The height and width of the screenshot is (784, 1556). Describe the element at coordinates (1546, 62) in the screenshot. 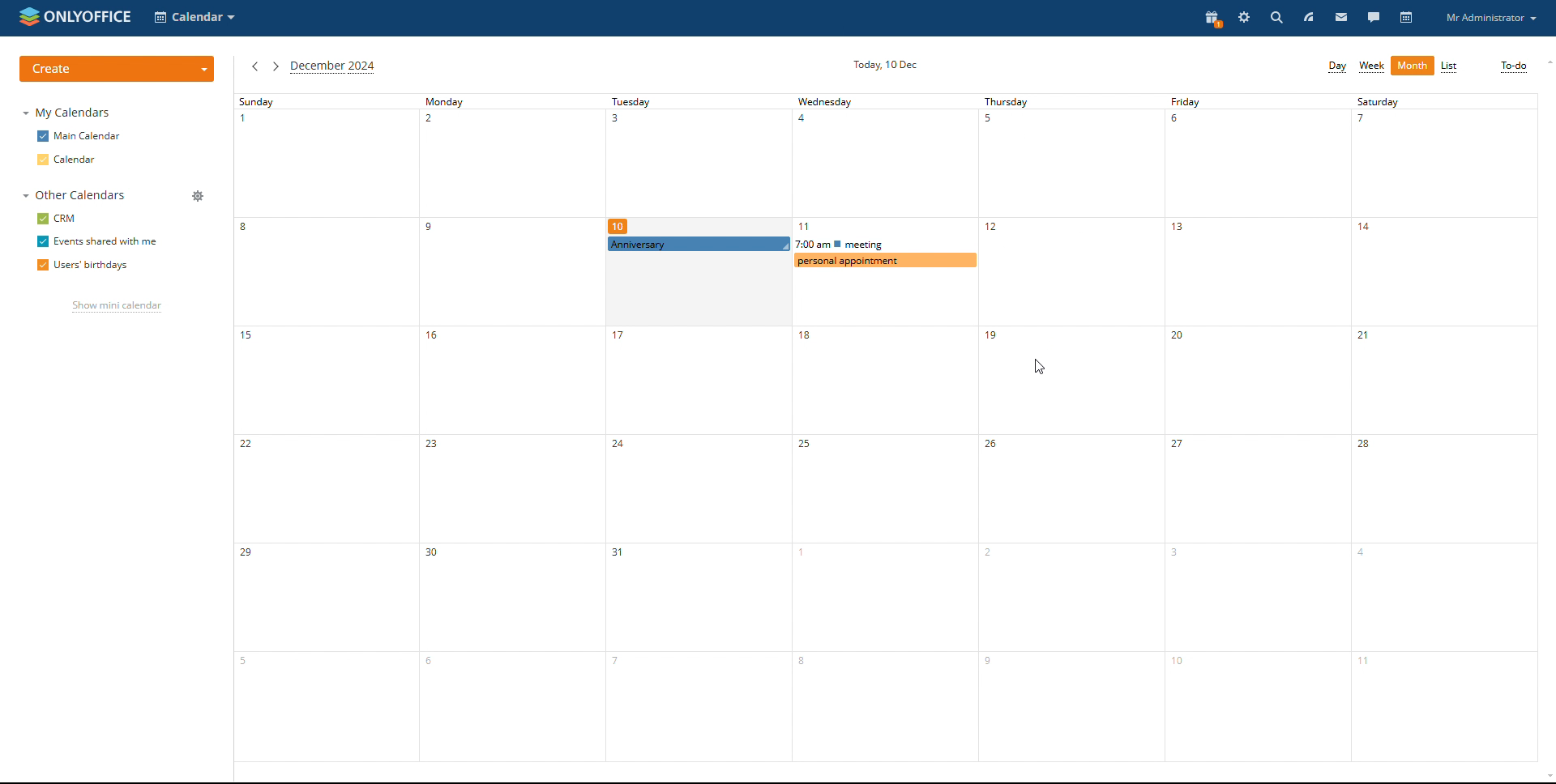

I see `scroll up` at that location.